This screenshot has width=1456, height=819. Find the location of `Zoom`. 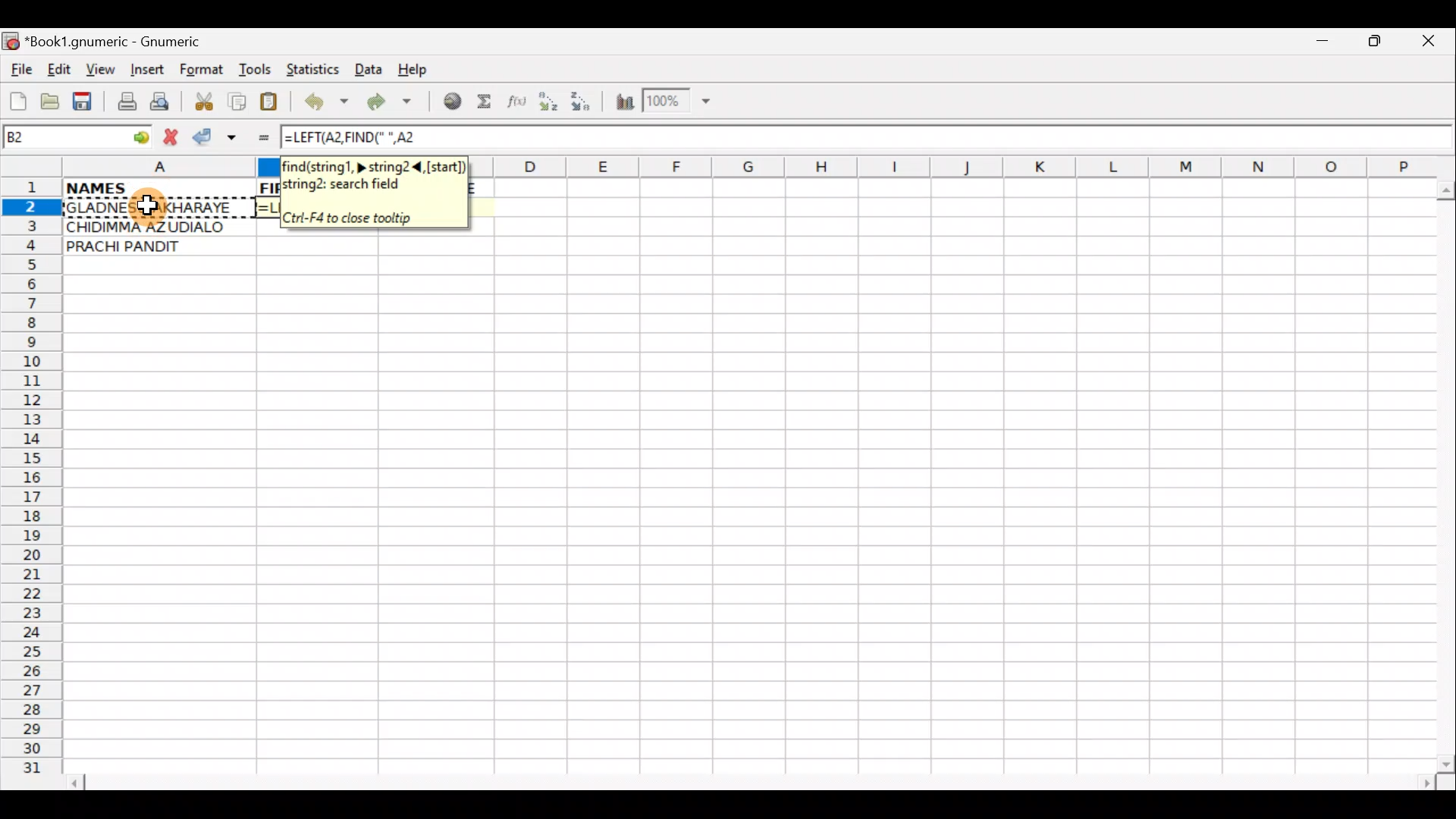

Zoom is located at coordinates (679, 103).